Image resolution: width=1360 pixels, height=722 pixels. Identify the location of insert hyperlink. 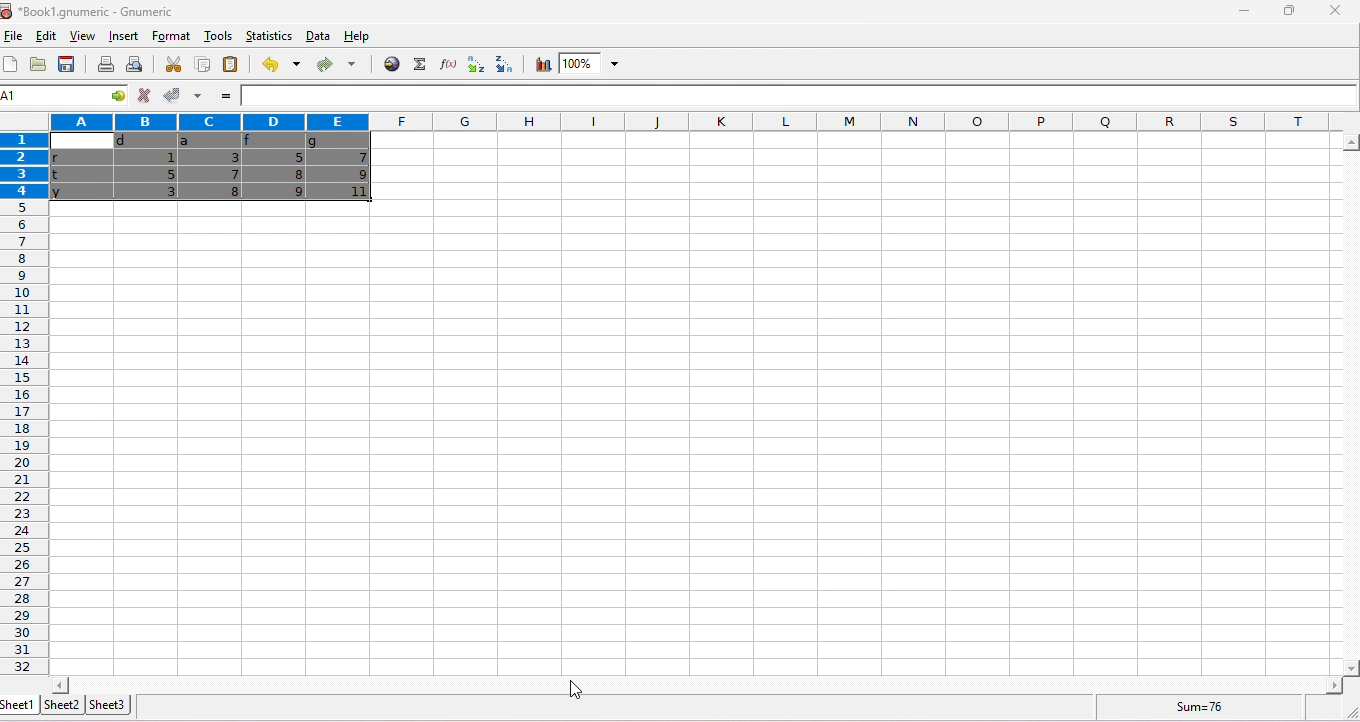
(392, 63).